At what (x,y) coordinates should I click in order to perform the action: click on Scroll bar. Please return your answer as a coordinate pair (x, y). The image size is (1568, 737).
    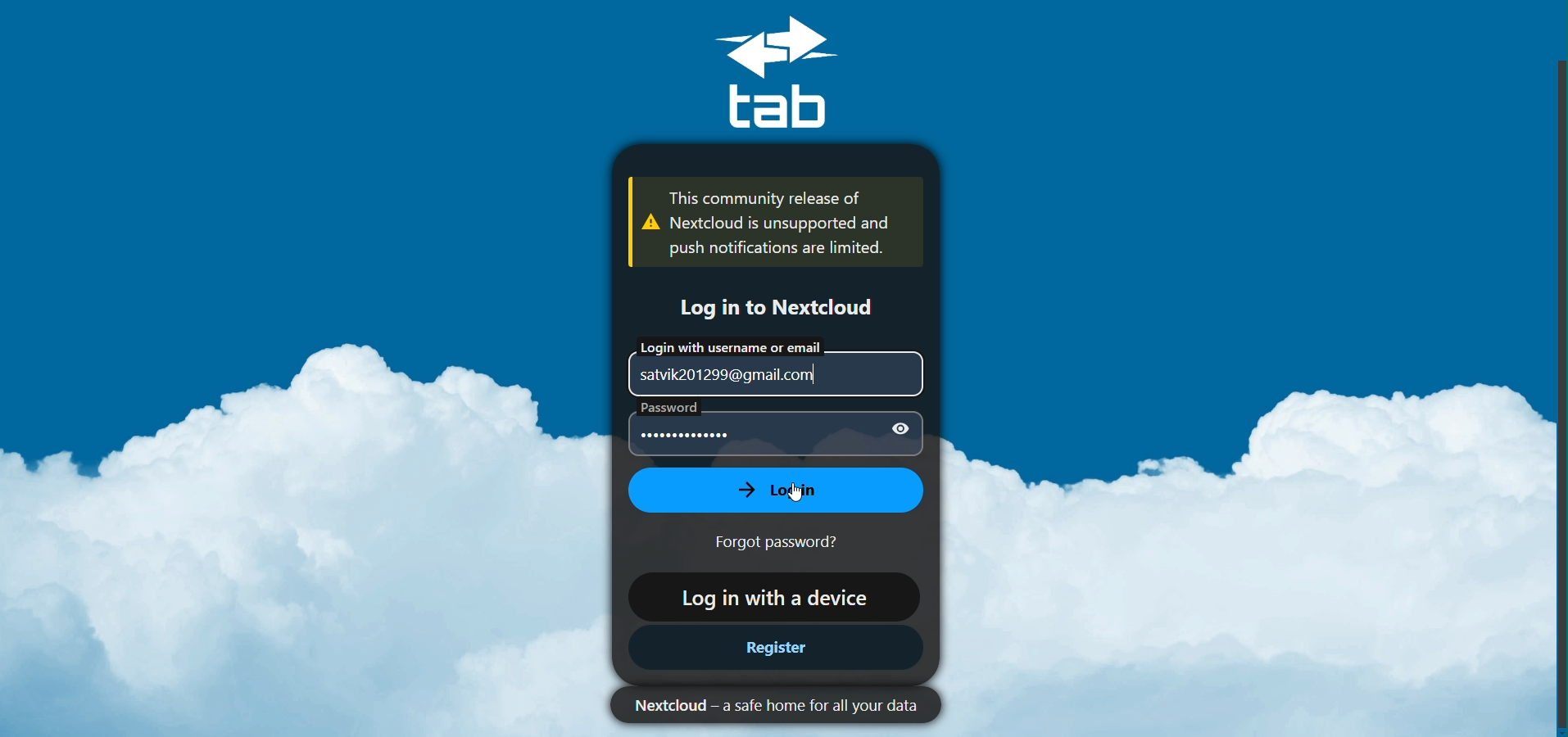
    Looking at the image, I should click on (1556, 391).